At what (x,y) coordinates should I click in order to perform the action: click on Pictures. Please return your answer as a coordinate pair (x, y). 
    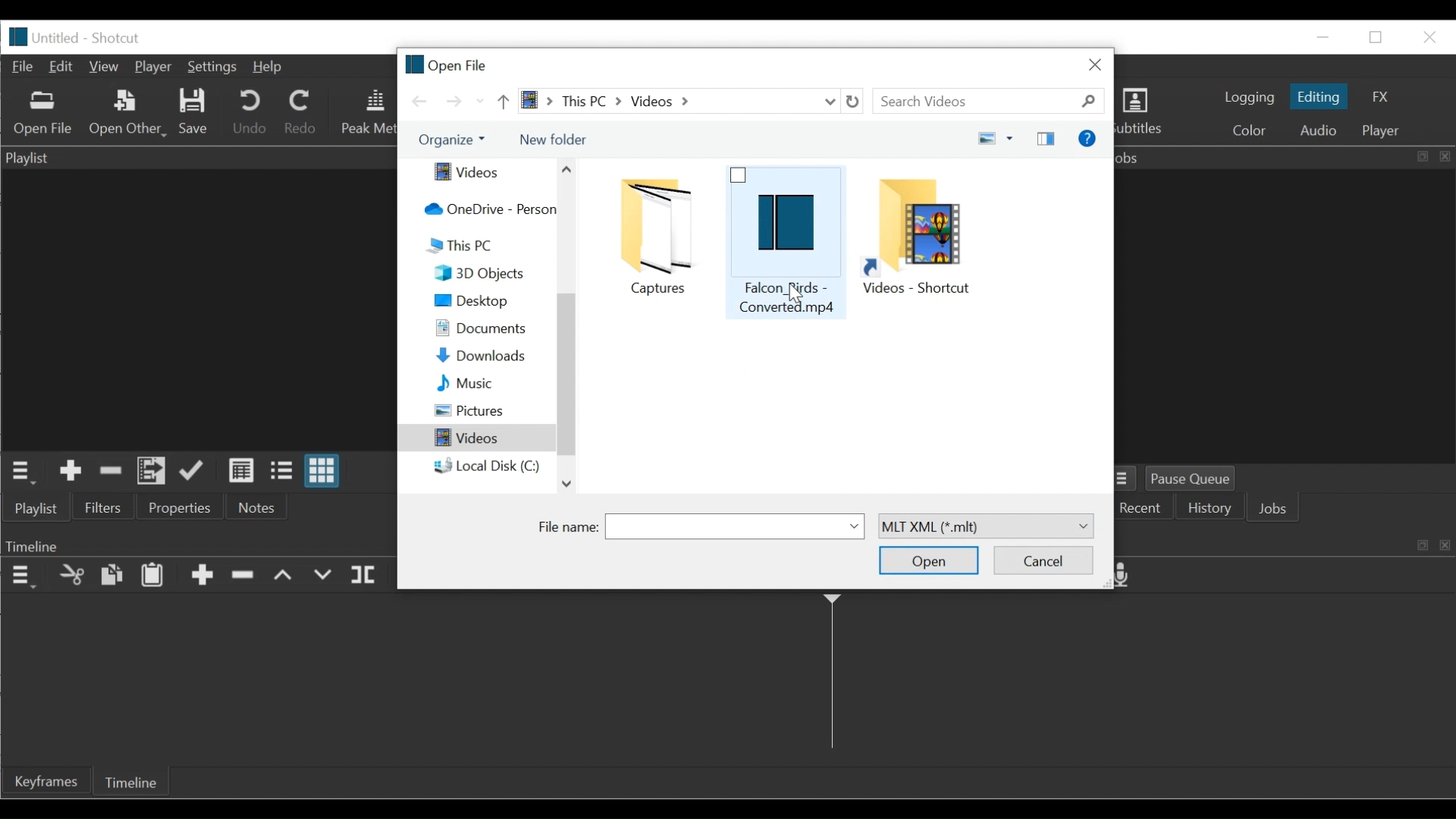
    Looking at the image, I should click on (492, 411).